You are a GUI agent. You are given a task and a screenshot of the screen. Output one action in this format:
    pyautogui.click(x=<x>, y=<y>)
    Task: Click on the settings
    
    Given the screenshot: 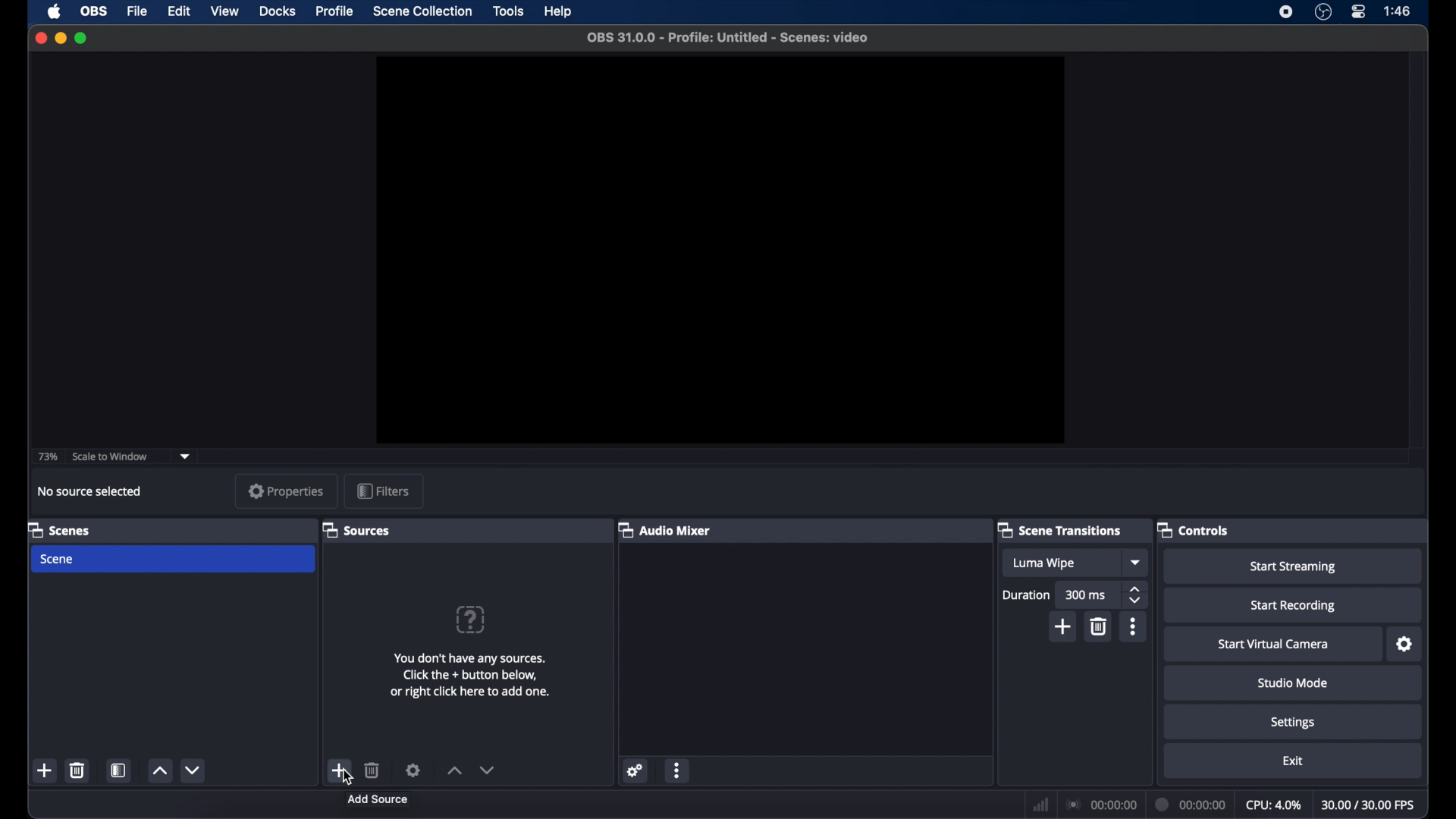 What is the action you would take?
    pyautogui.click(x=413, y=770)
    